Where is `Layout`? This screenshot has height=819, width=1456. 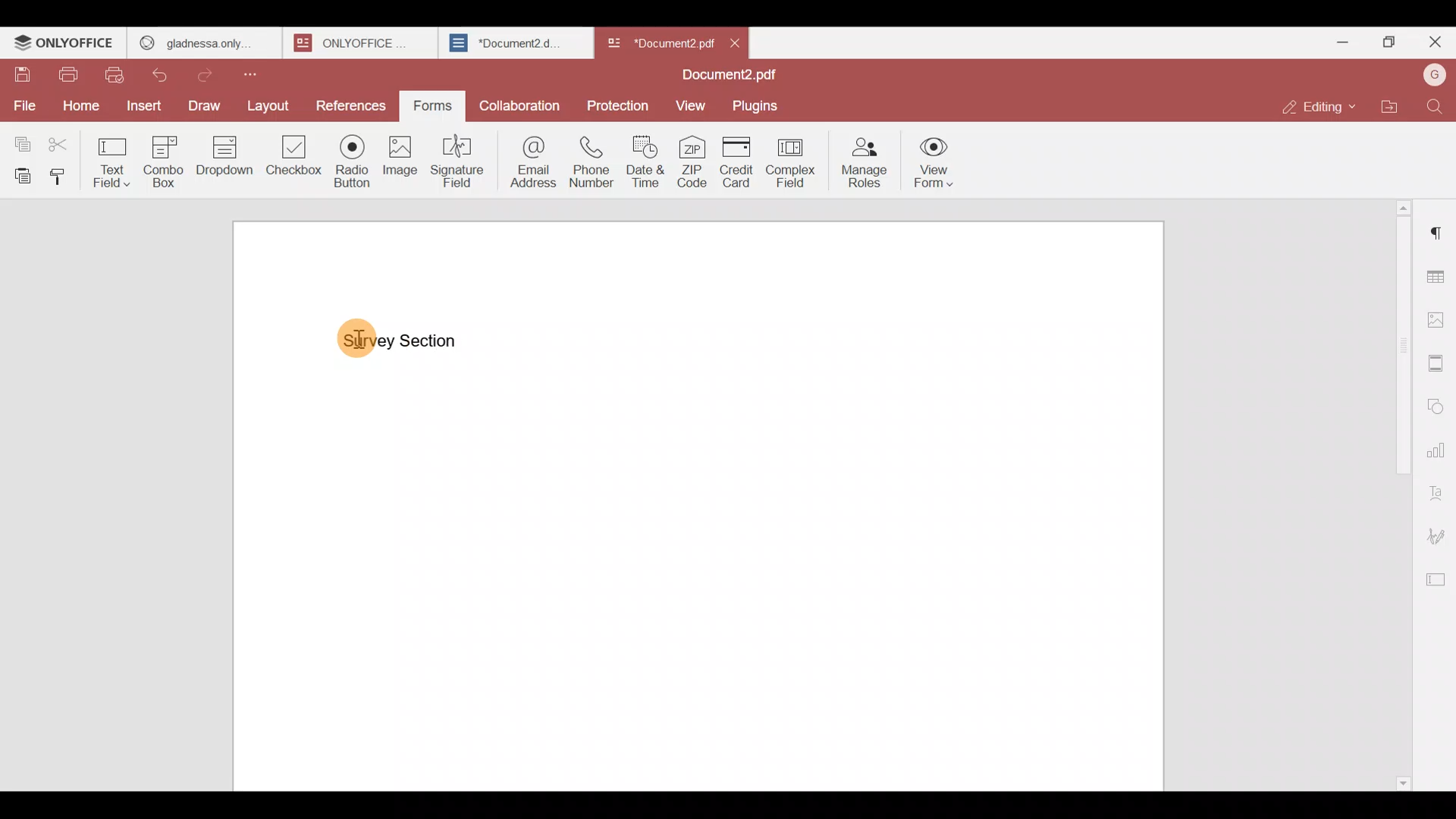 Layout is located at coordinates (269, 102).